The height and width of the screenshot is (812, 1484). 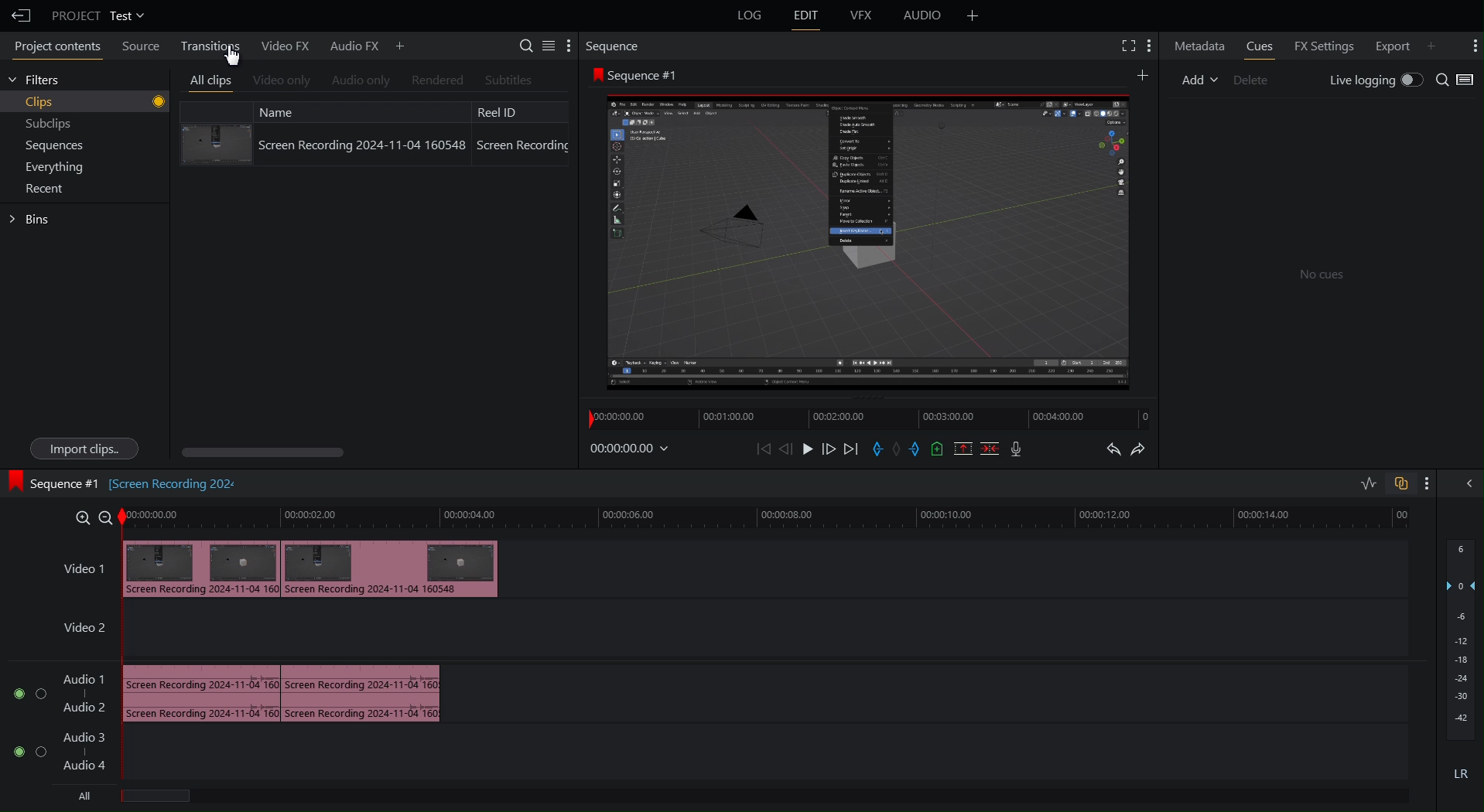 I want to click on Add, so click(x=1434, y=46).